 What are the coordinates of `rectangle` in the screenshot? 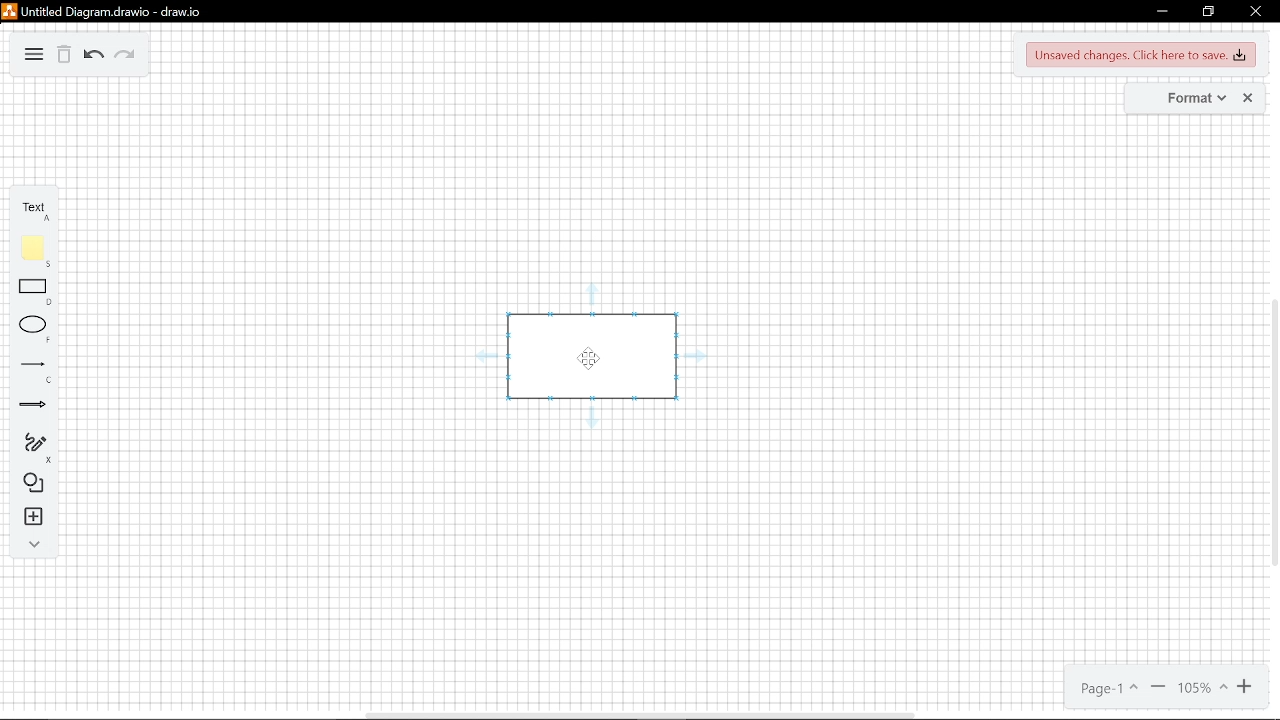 It's located at (38, 291).